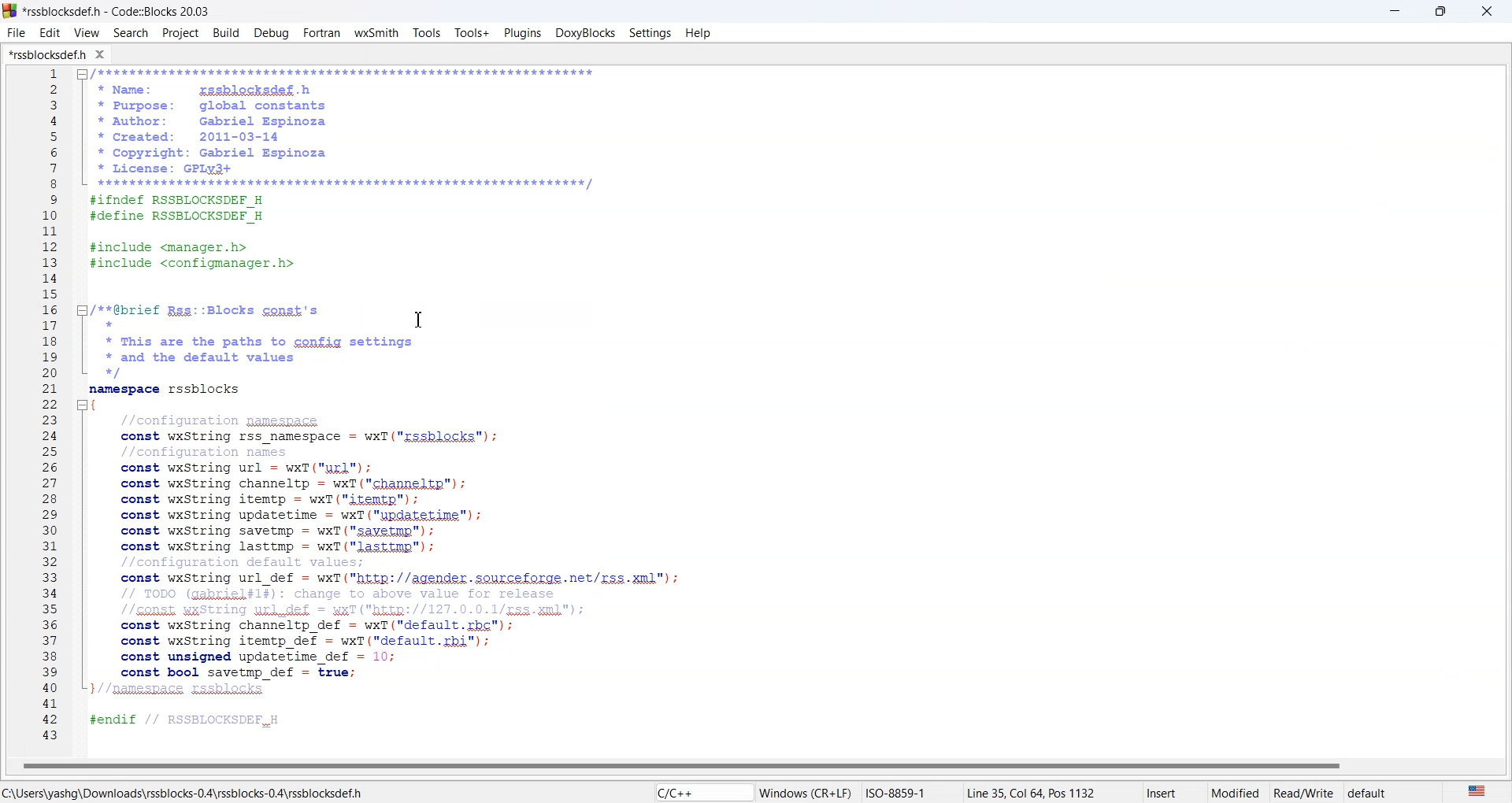 The image size is (1512, 803). What do you see at coordinates (227, 32) in the screenshot?
I see `Build` at bounding box center [227, 32].